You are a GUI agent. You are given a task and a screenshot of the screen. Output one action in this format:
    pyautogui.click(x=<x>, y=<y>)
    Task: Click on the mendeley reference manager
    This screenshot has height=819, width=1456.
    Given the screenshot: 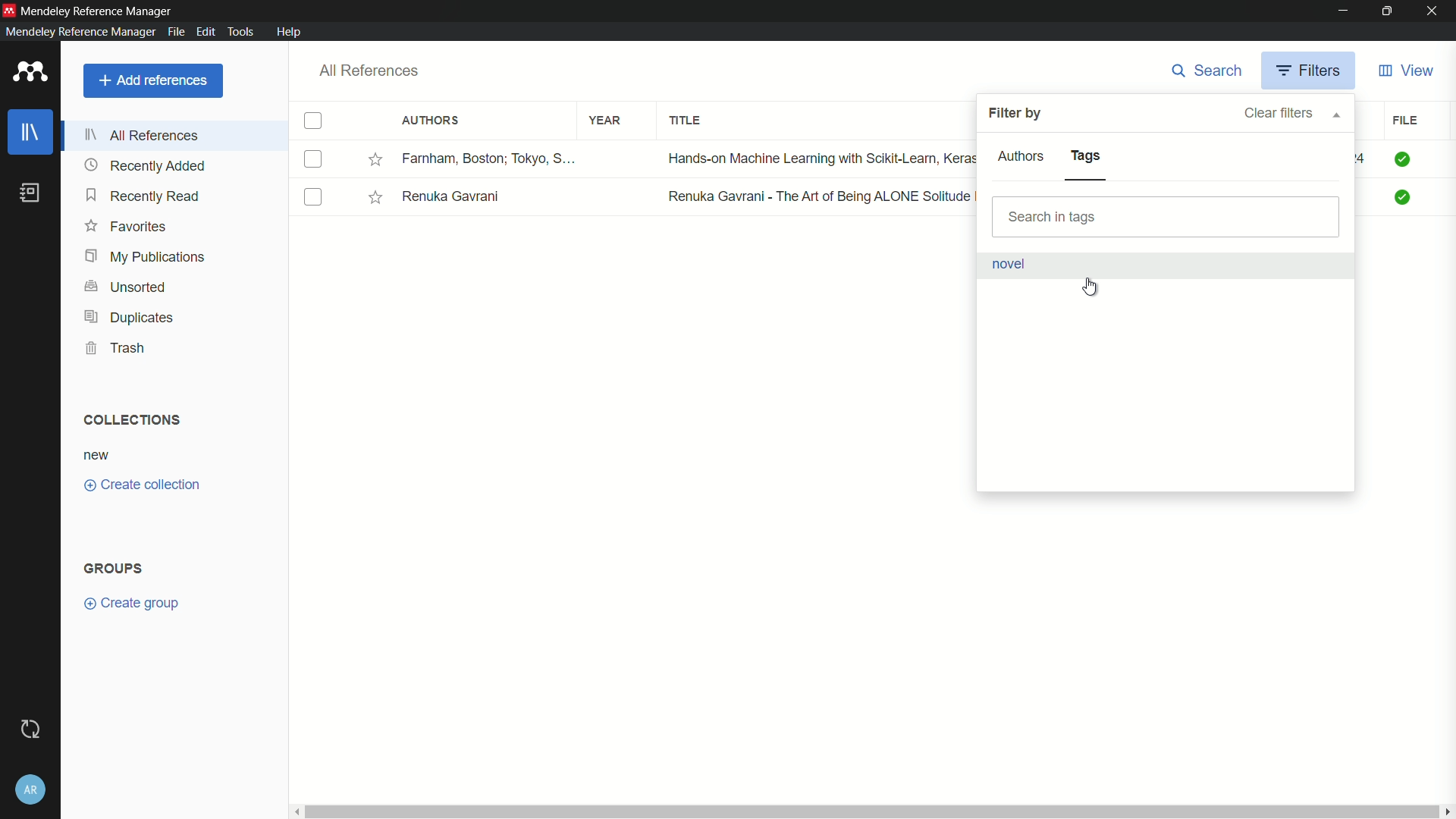 What is the action you would take?
    pyautogui.click(x=78, y=32)
    